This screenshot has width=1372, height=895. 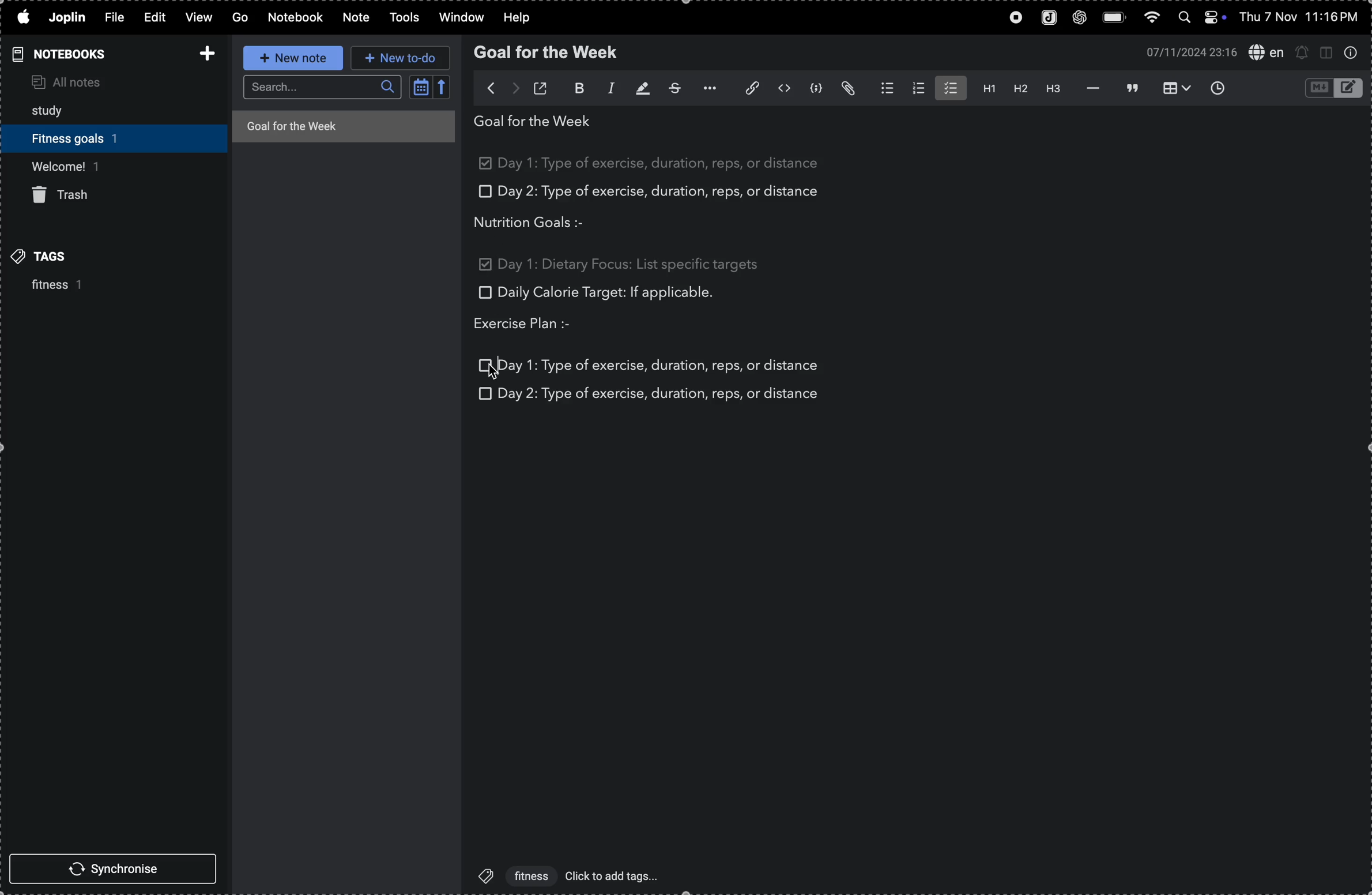 I want to click on apple logo, so click(x=22, y=16).